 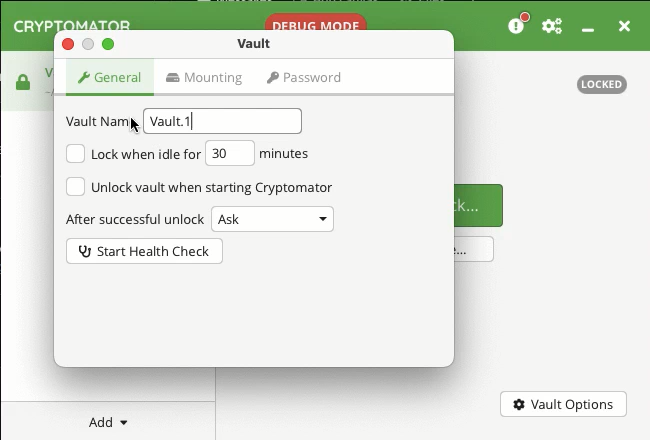 What do you see at coordinates (219, 152) in the screenshot?
I see `30` at bounding box center [219, 152].